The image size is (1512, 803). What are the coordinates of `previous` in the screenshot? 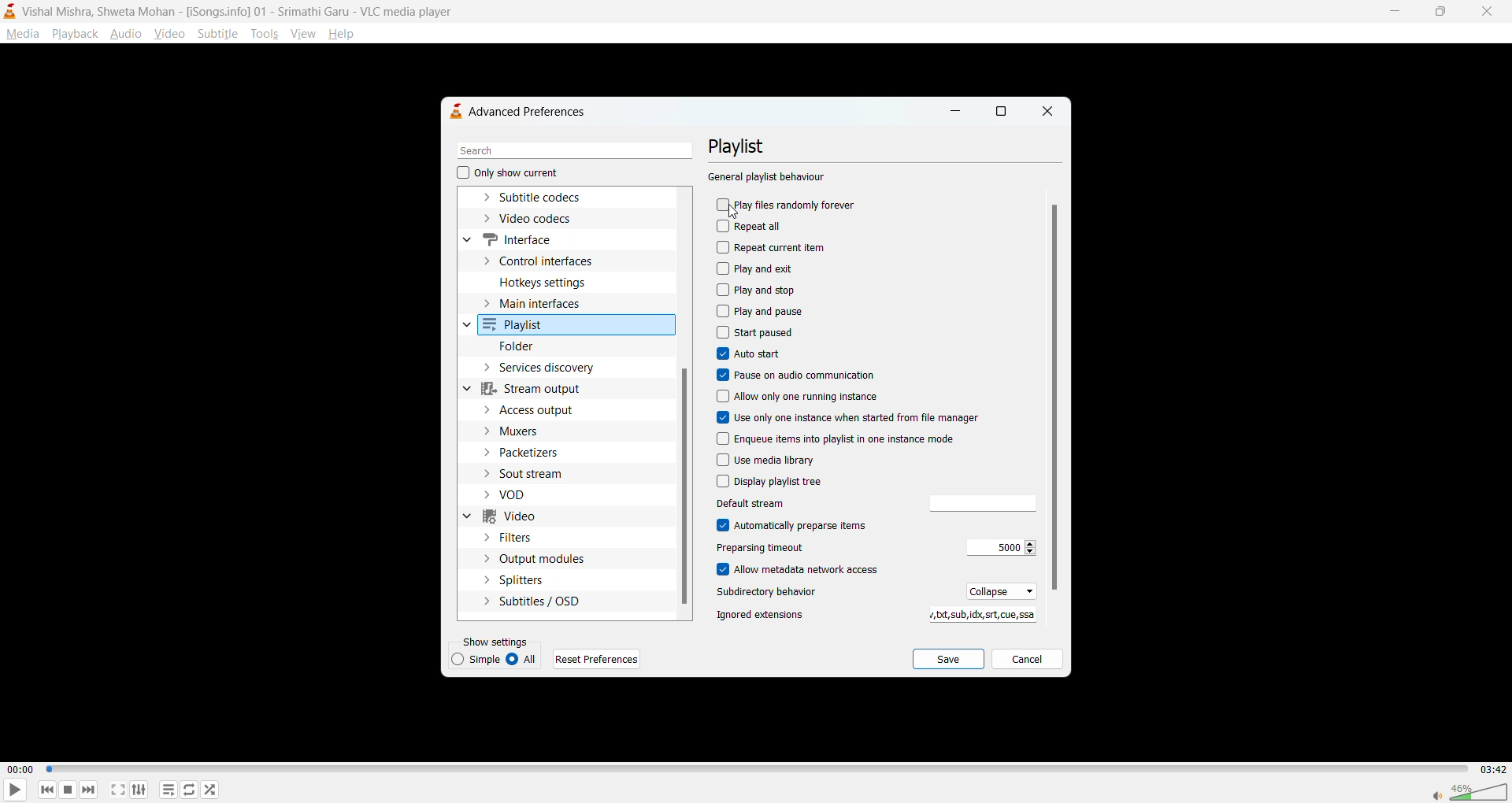 It's located at (48, 789).